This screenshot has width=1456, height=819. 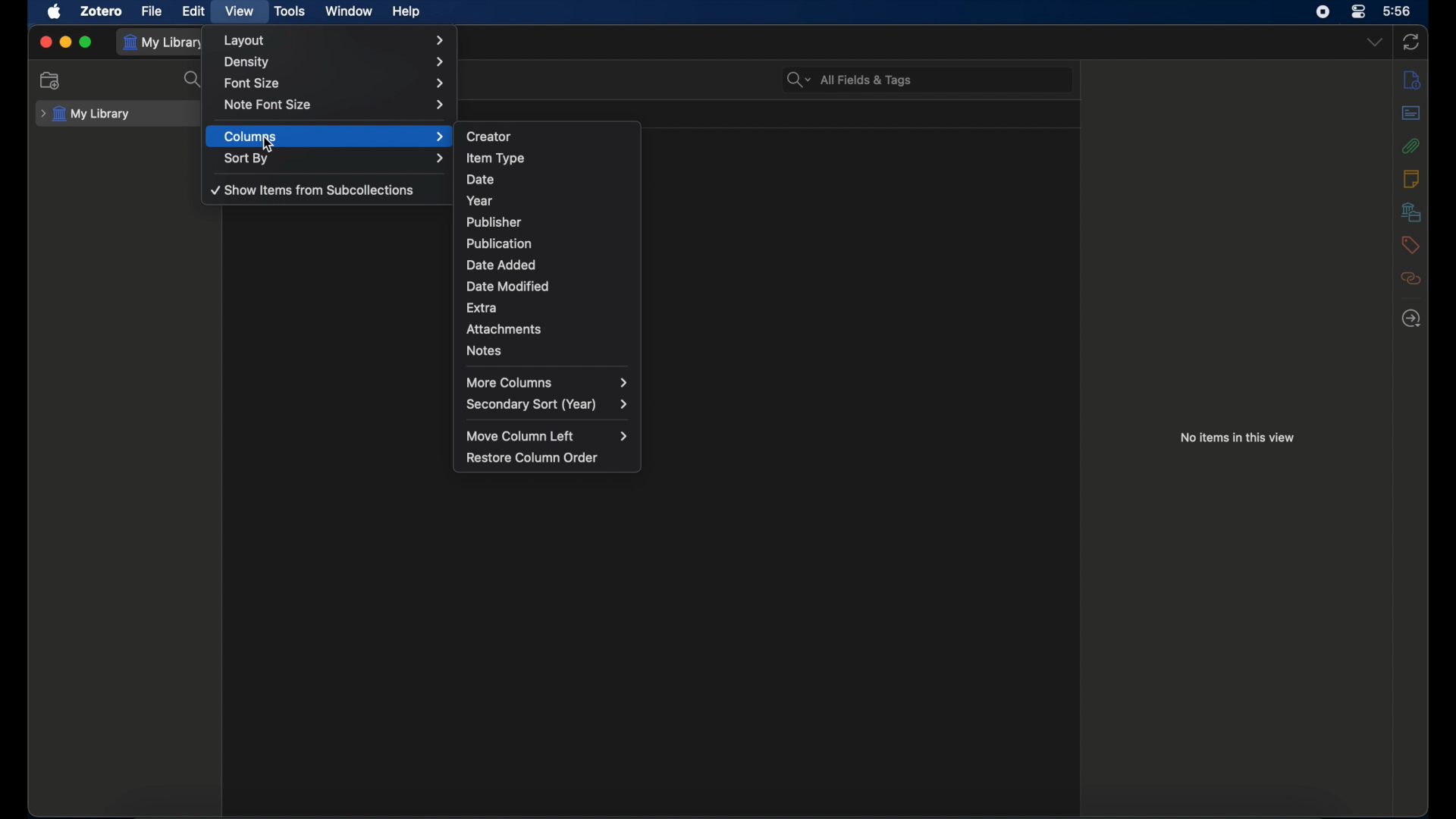 I want to click on time, so click(x=1398, y=11).